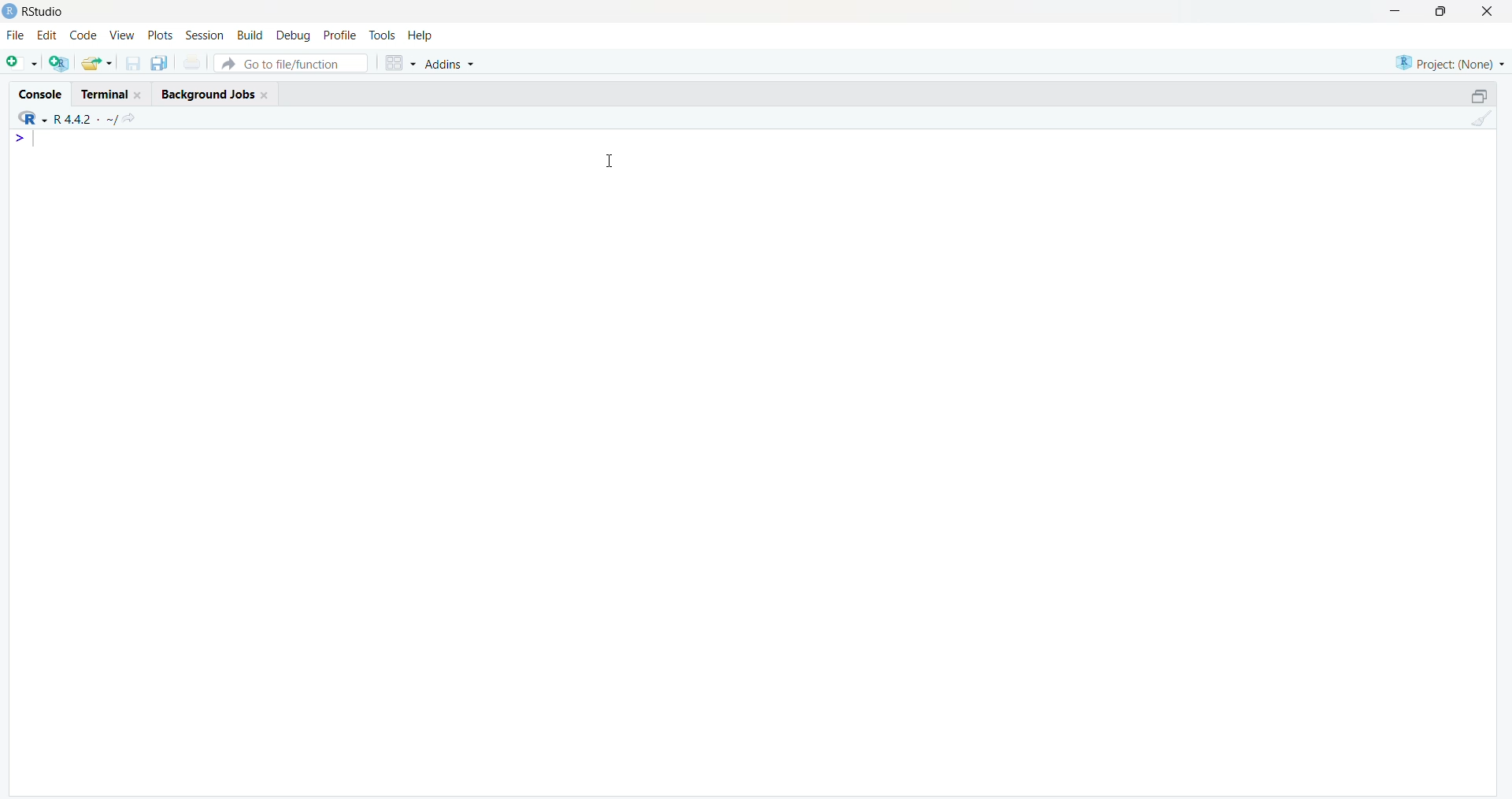 The width and height of the screenshot is (1512, 799). What do you see at coordinates (401, 62) in the screenshot?
I see `grid` at bounding box center [401, 62].